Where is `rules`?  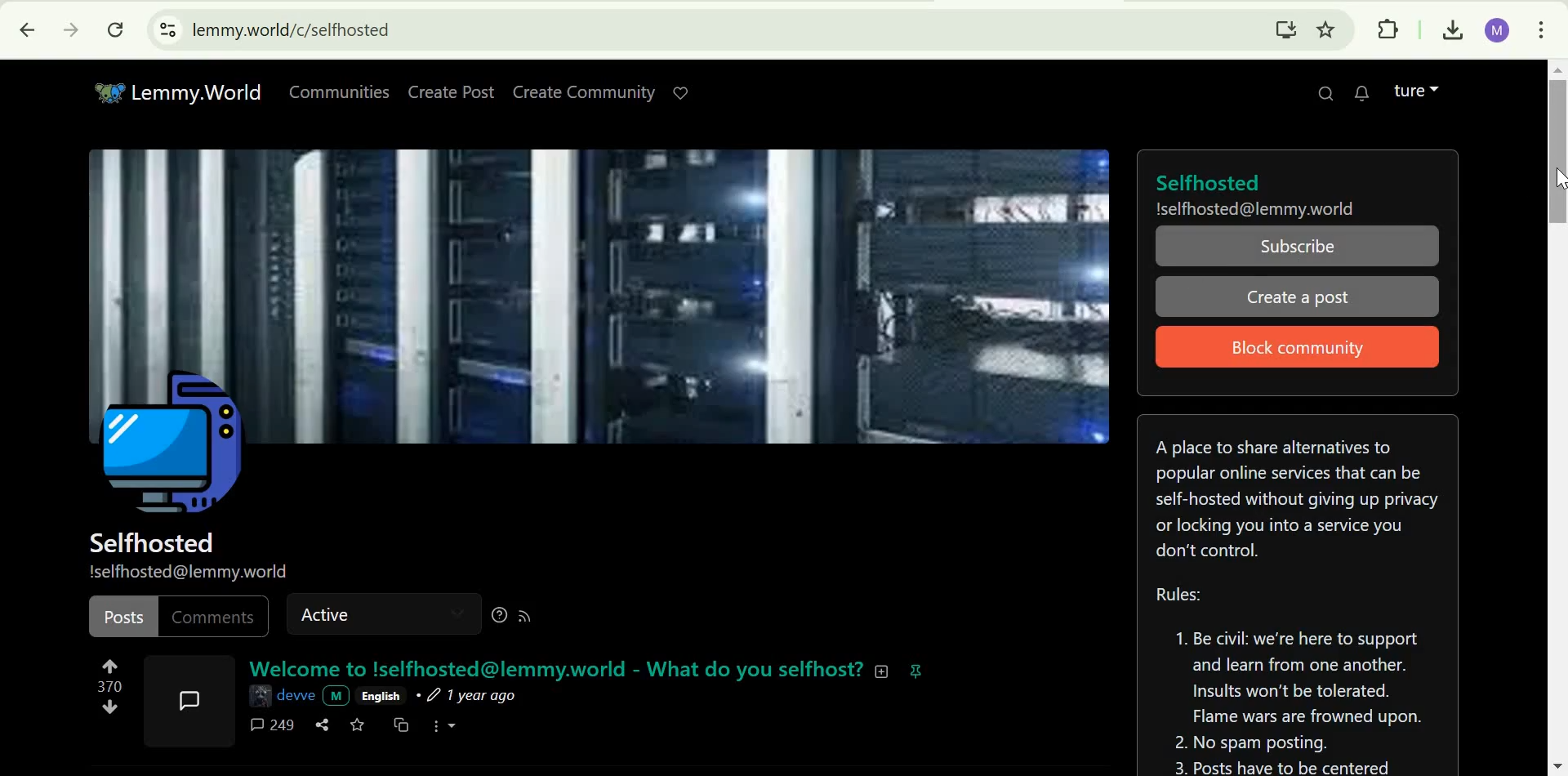 rules is located at coordinates (1291, 680).